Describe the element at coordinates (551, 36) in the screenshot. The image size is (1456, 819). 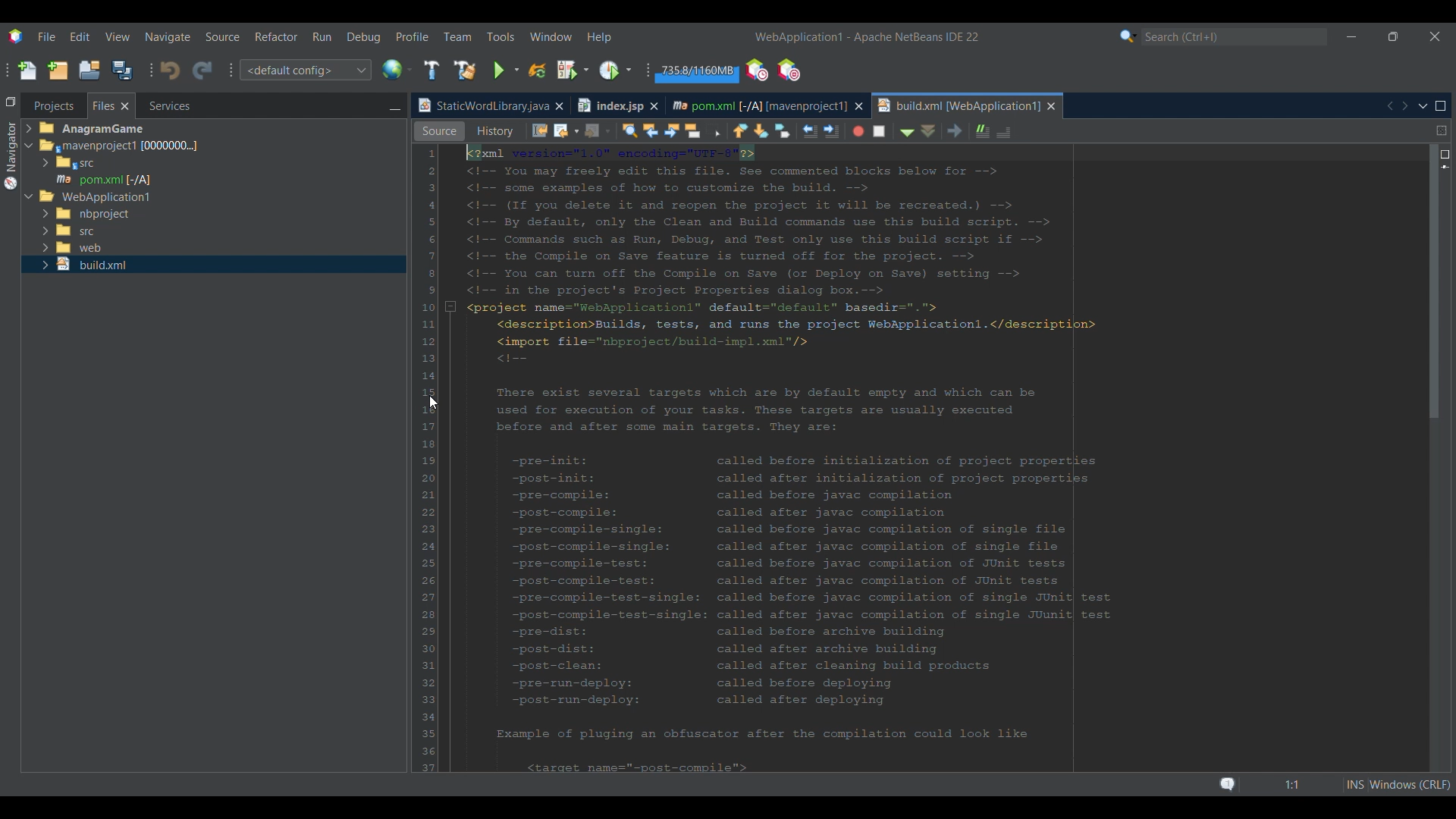
I see `Window menu` at that location.